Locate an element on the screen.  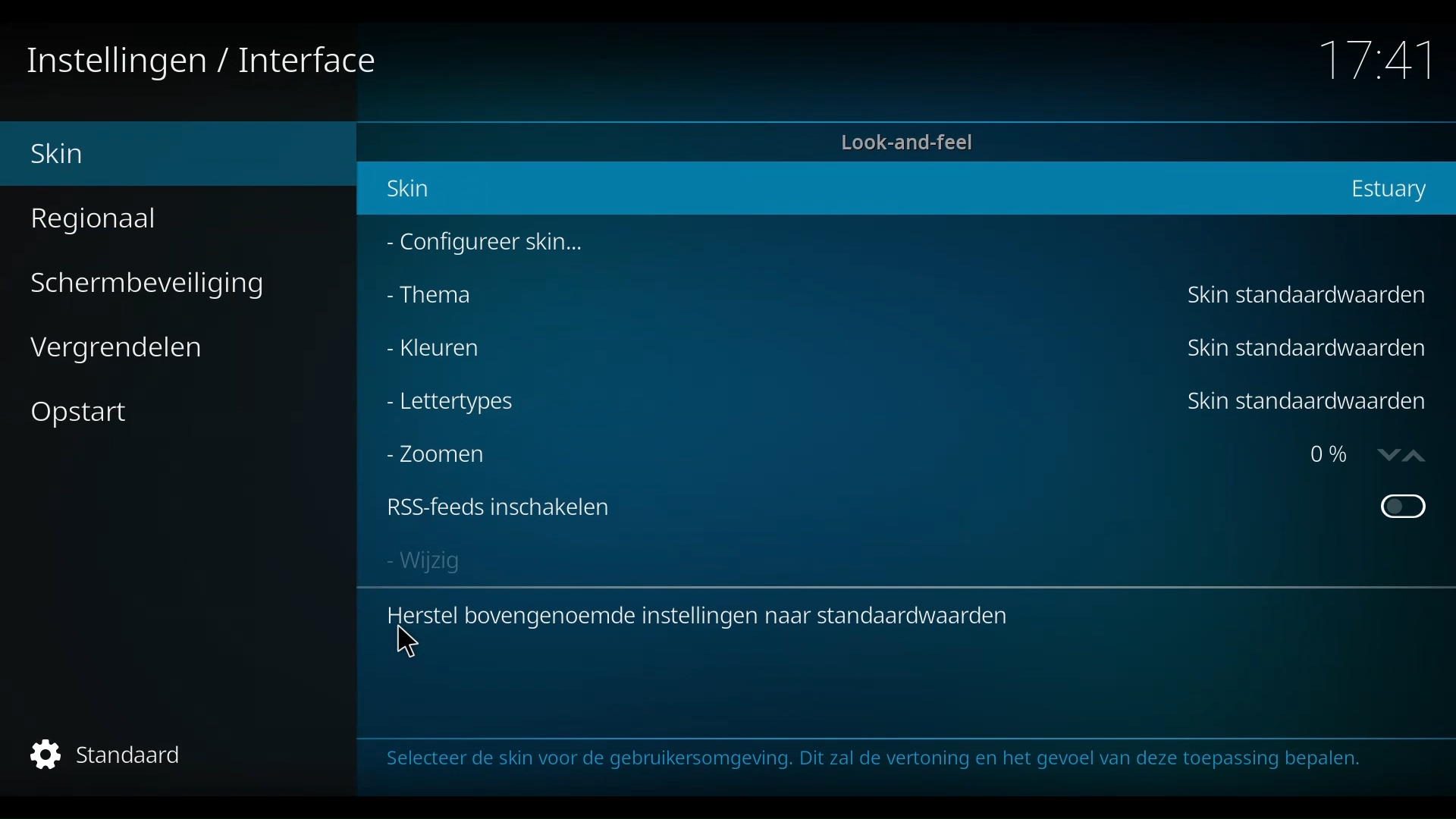
Instellingen/Interface is located at coordinates (202, 64).